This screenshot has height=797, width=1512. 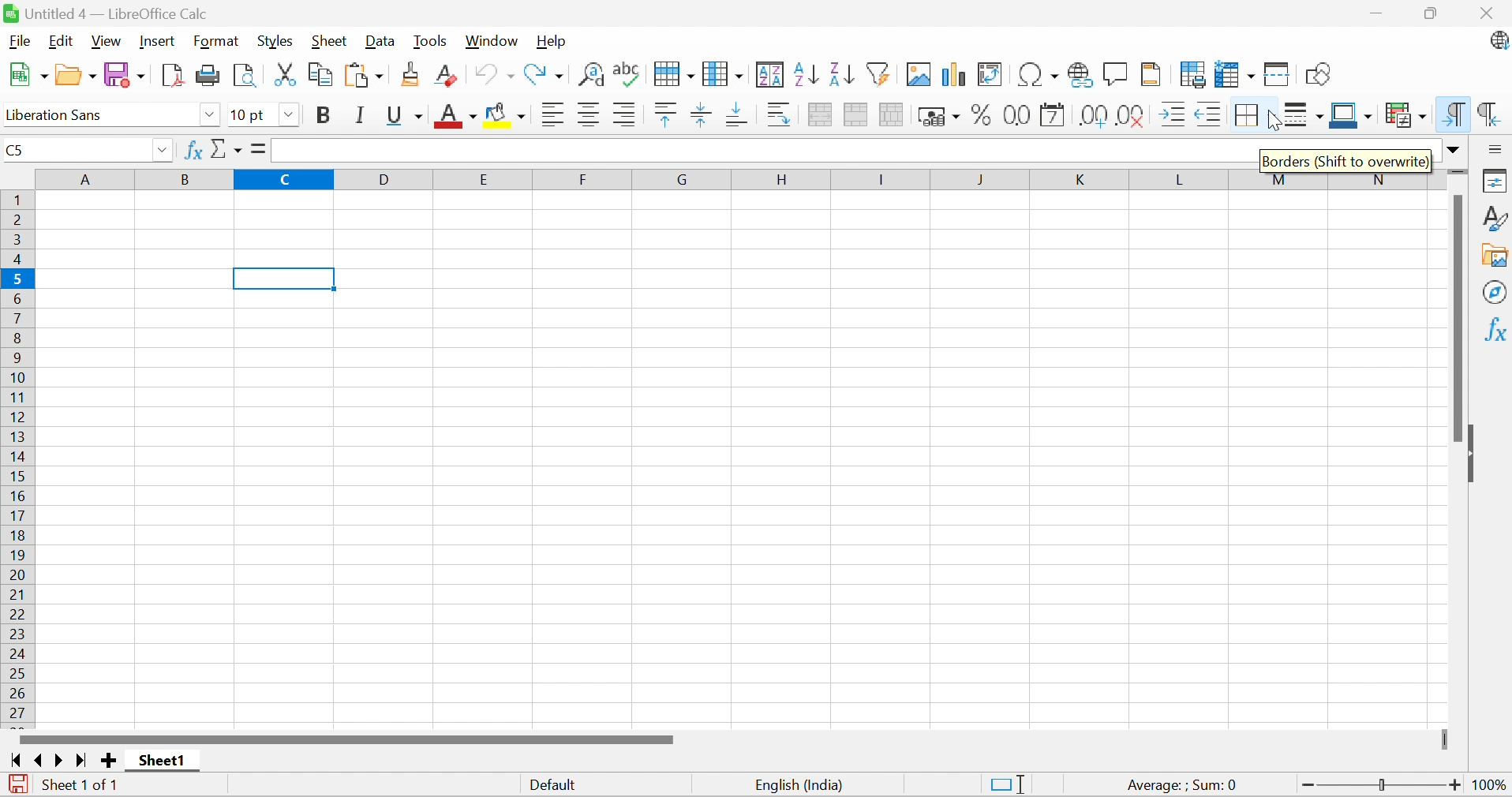 I want to click on Scroll to first sheet, so click(x=17, y=761).